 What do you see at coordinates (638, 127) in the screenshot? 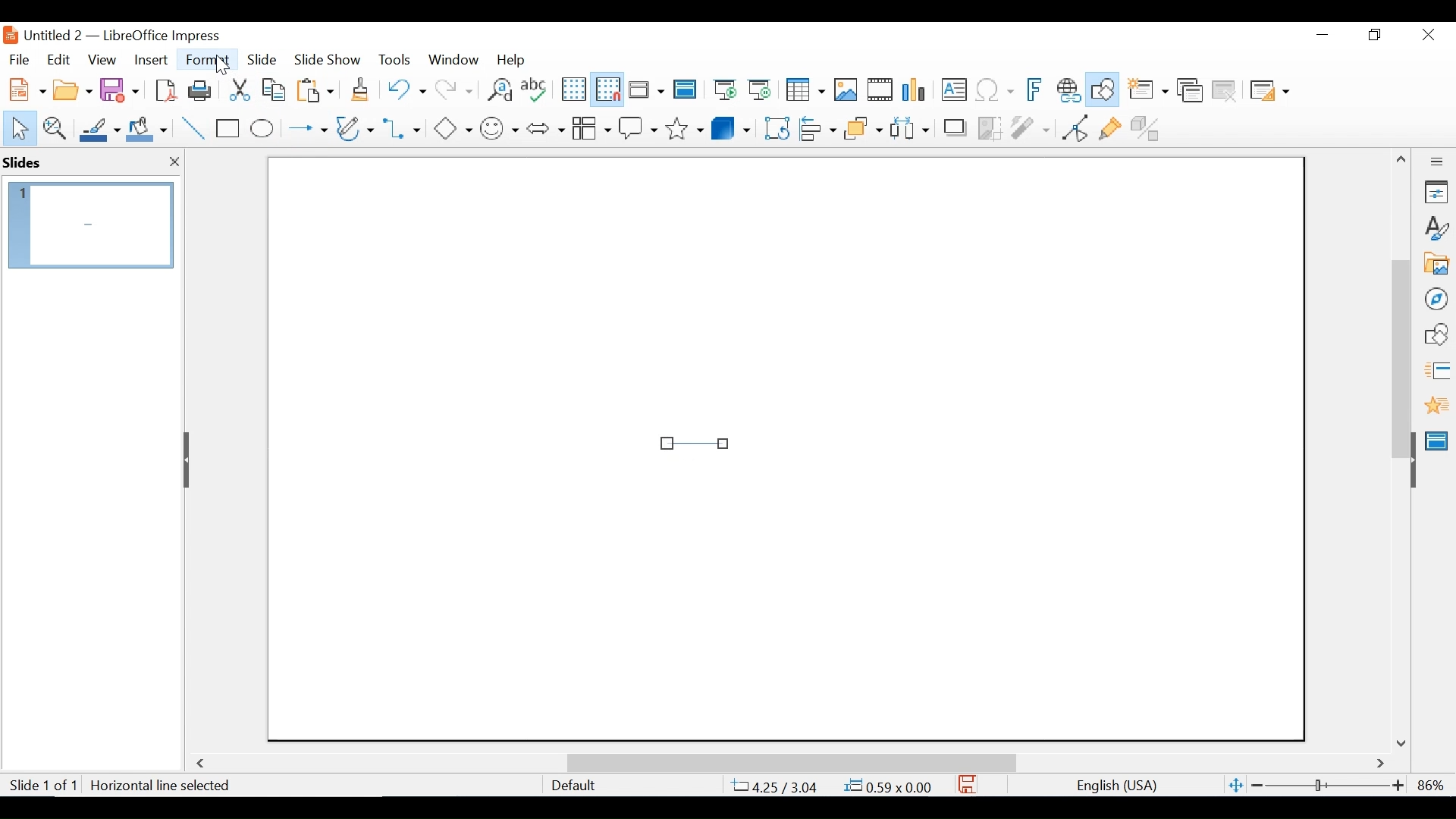
I see `Callout` at bounding box center [638, 127].